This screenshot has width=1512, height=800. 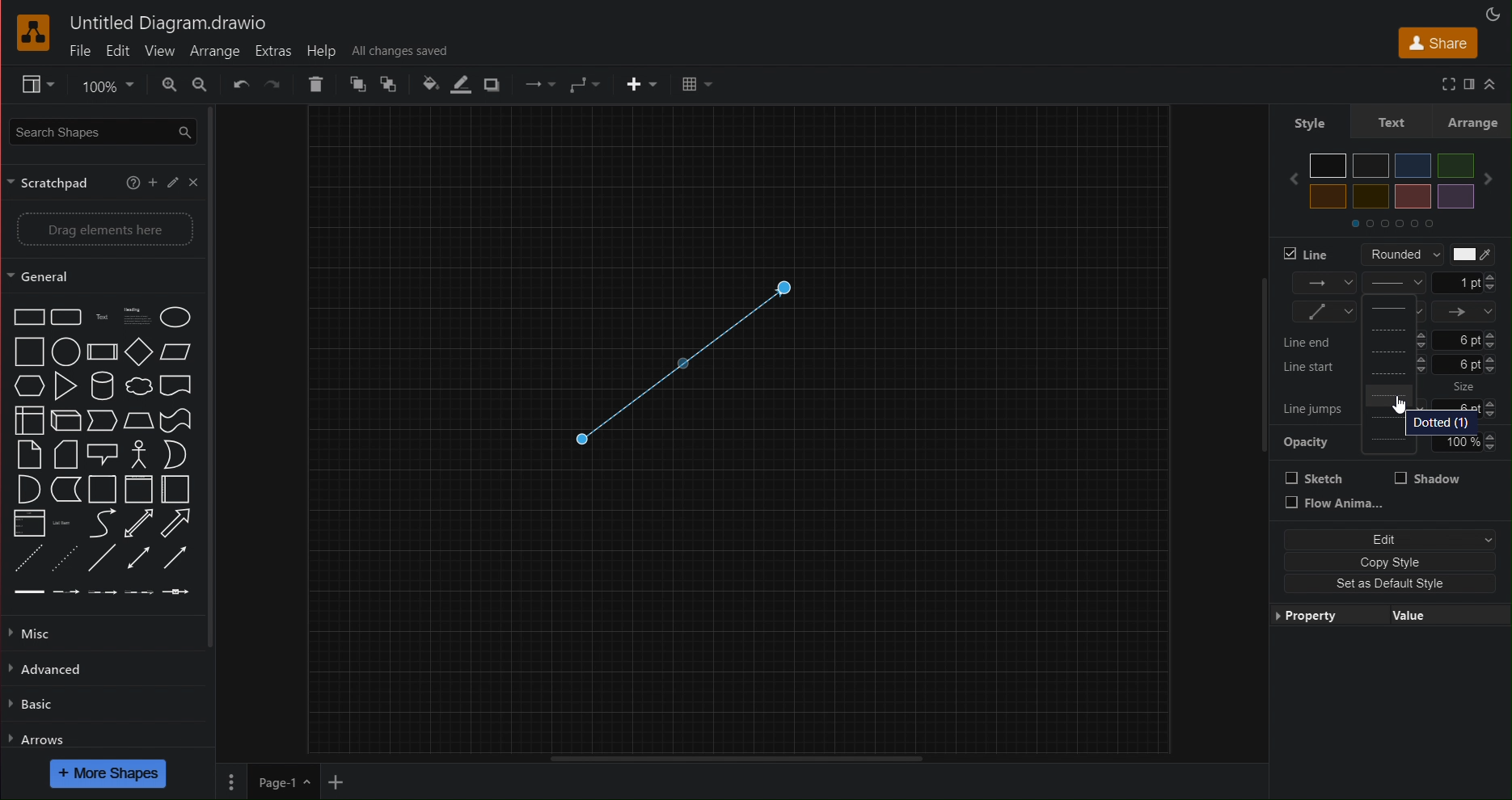 I want to click on Line width, so click(x=1465, y=283).